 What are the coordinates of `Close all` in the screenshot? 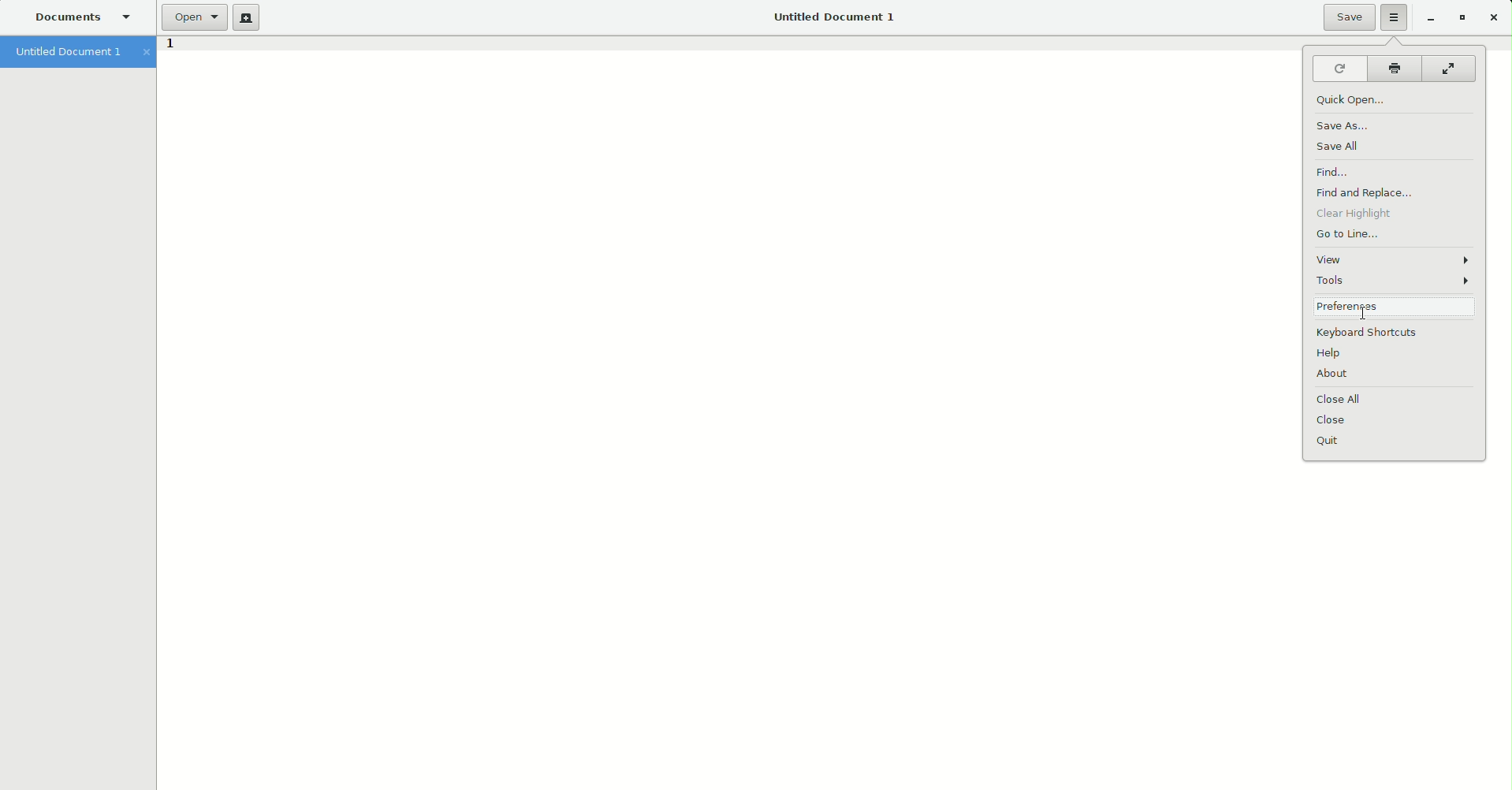 It's located at (1343, 402).